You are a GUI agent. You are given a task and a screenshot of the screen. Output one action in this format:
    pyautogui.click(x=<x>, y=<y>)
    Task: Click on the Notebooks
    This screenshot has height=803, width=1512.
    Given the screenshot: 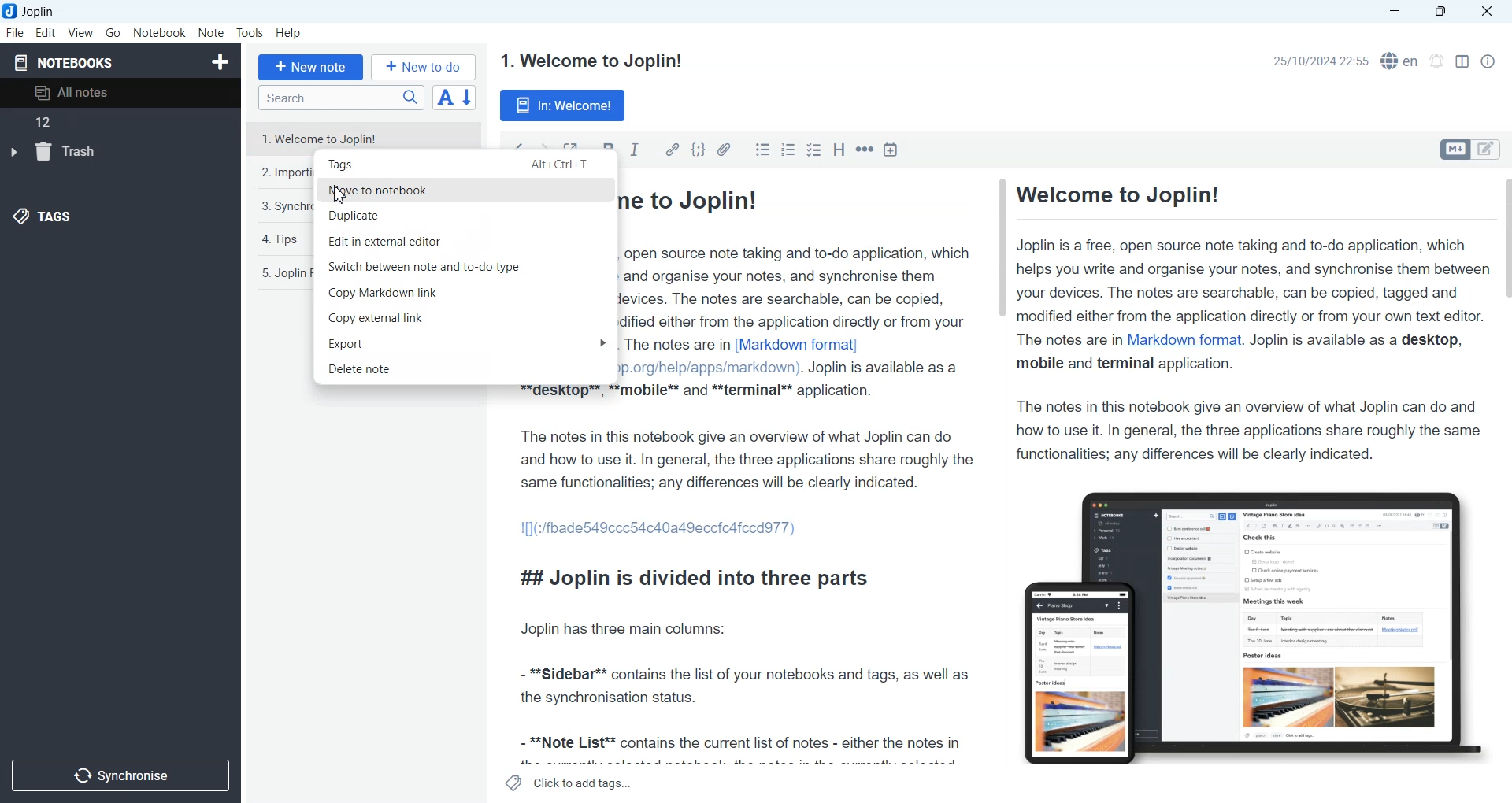 What is the action you would take?
    pyautogui.click(x=64, y=62)
    